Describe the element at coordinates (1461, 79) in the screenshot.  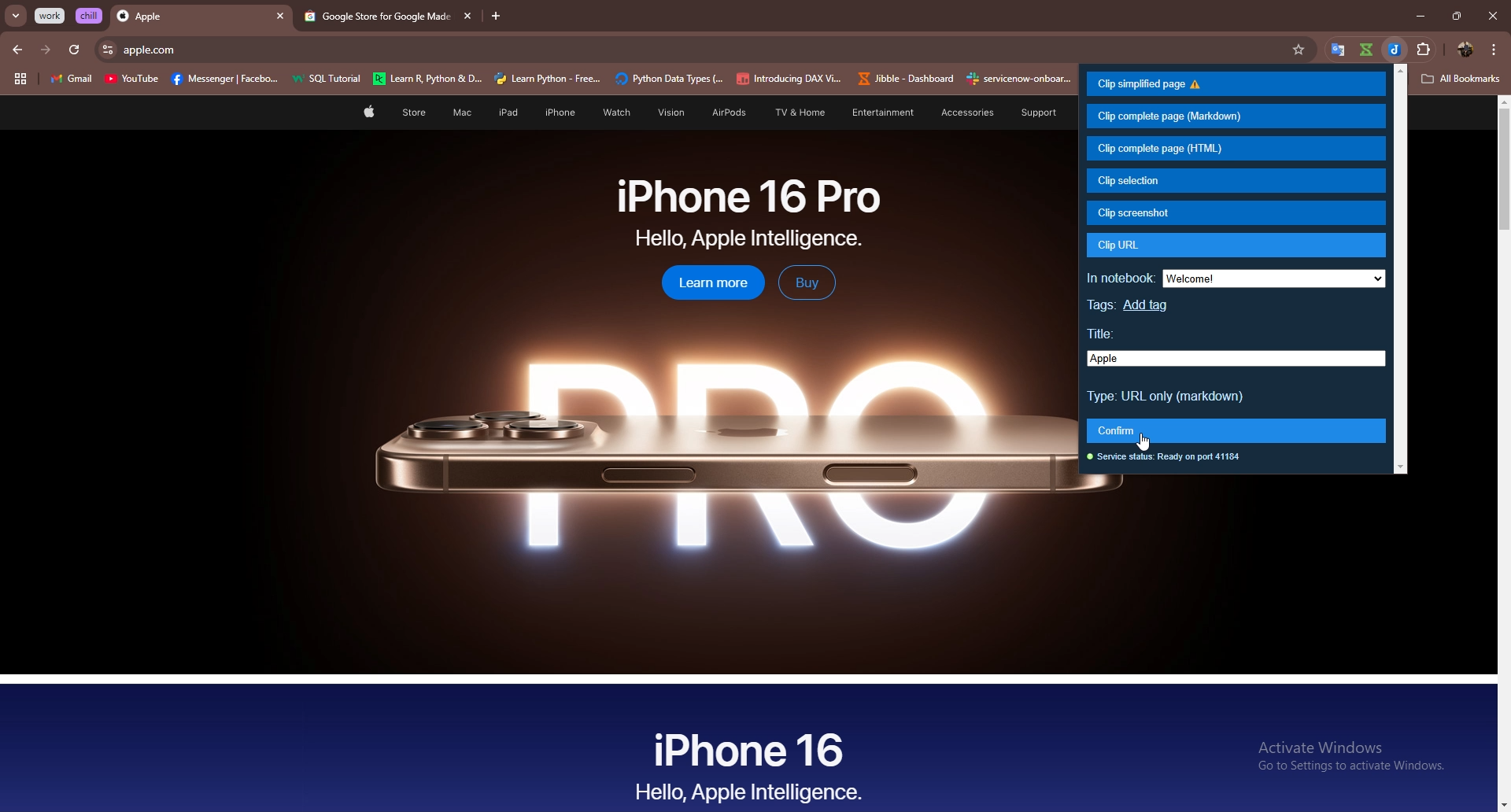
I see `all bookmarks` at that location.